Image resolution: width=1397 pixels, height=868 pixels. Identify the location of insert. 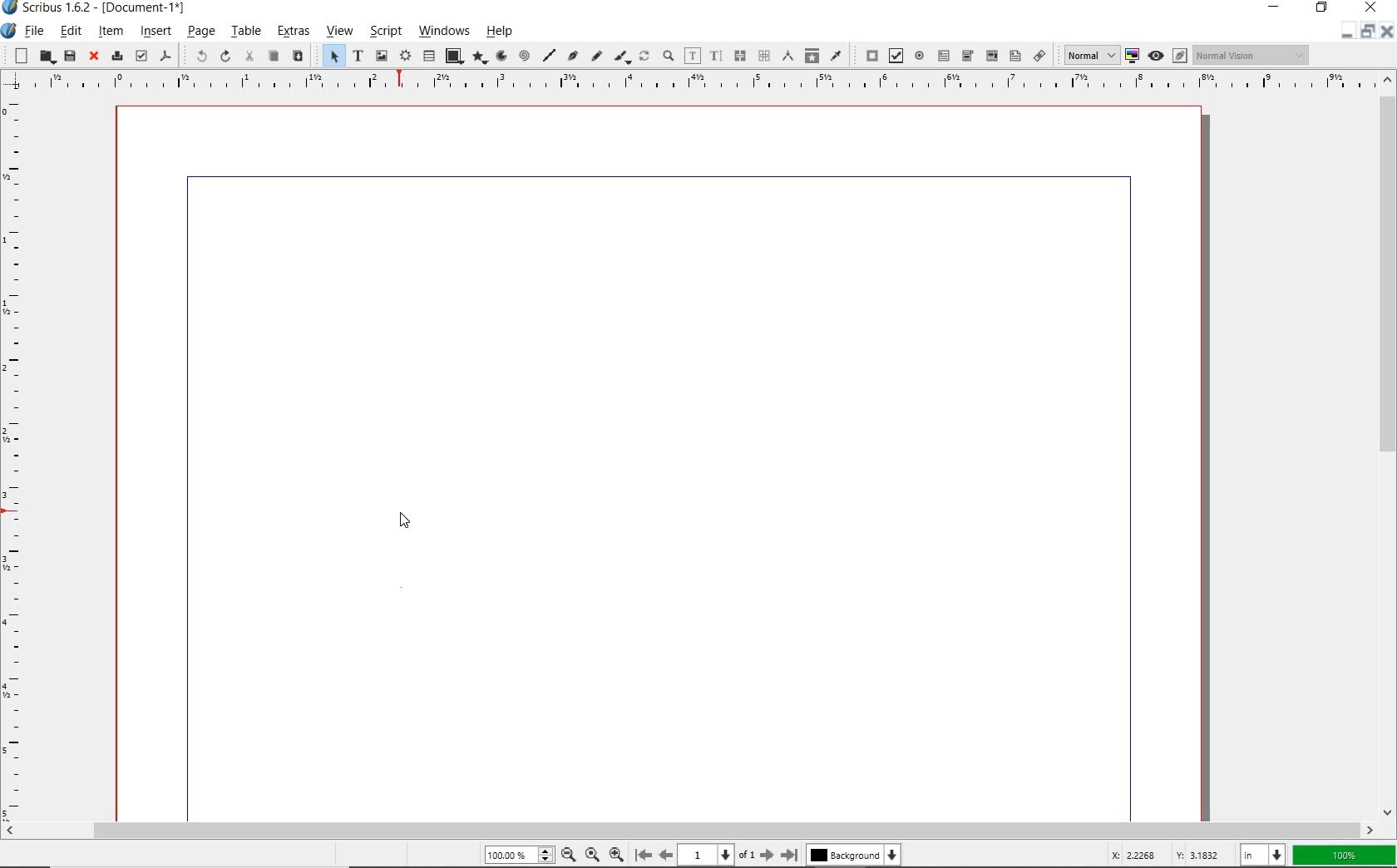
(155, 32).